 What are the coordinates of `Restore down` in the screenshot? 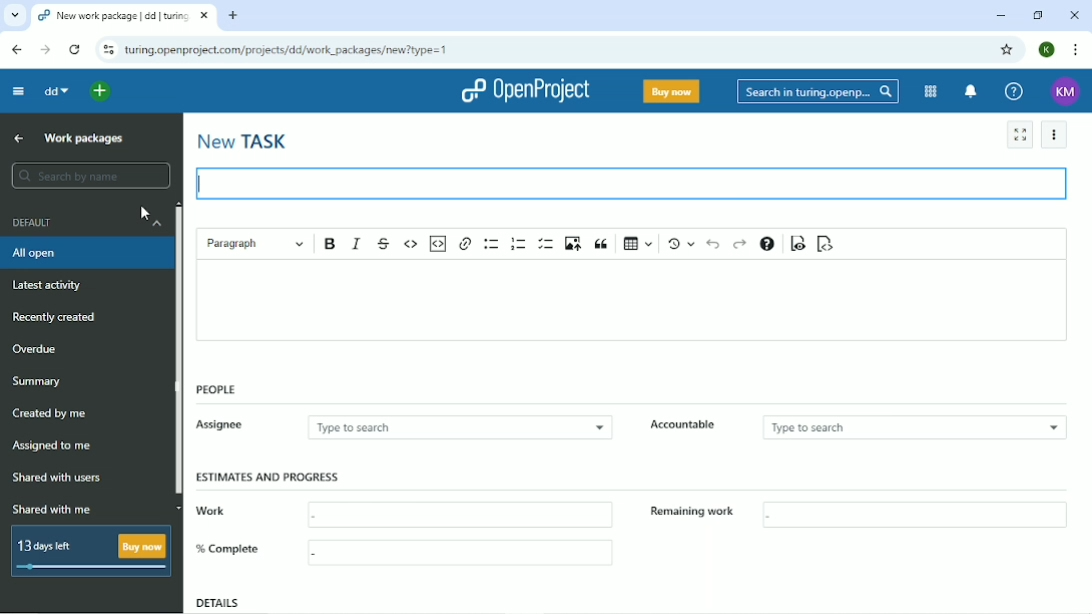 It's located at (1039, 15).